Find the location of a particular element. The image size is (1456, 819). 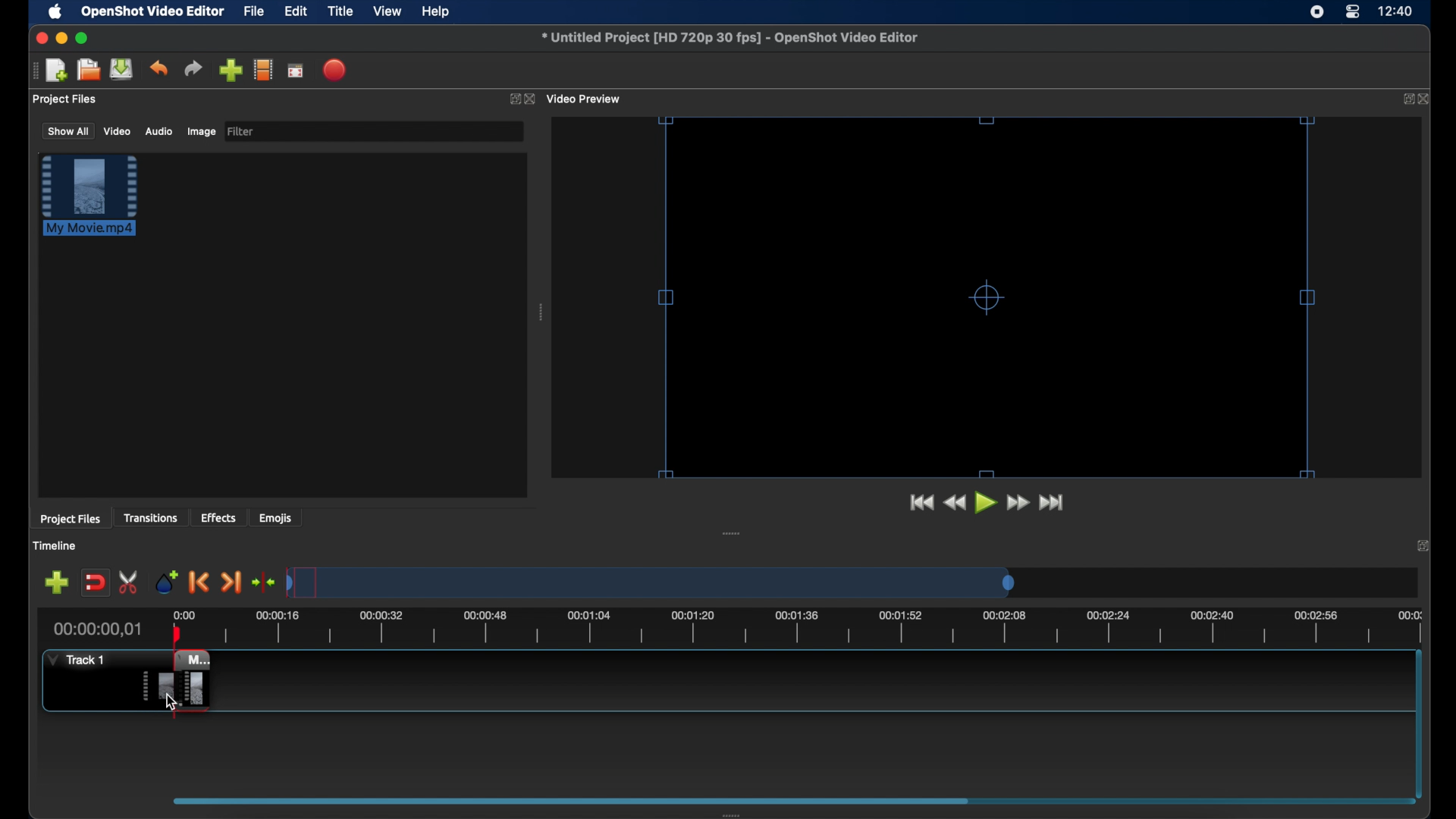

scroll box is located at coordinates (571, 800).